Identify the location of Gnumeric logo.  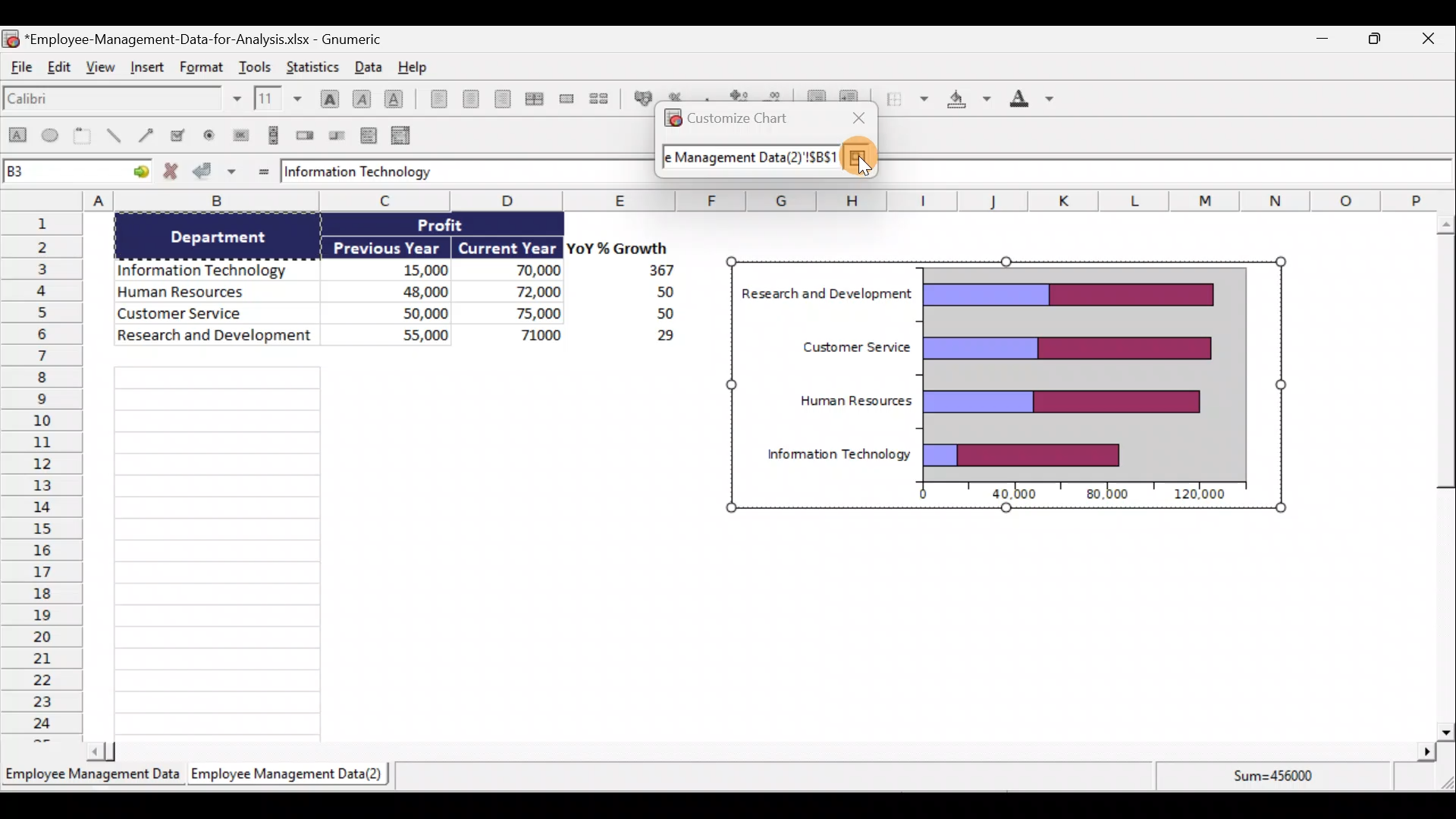
(11, 38).